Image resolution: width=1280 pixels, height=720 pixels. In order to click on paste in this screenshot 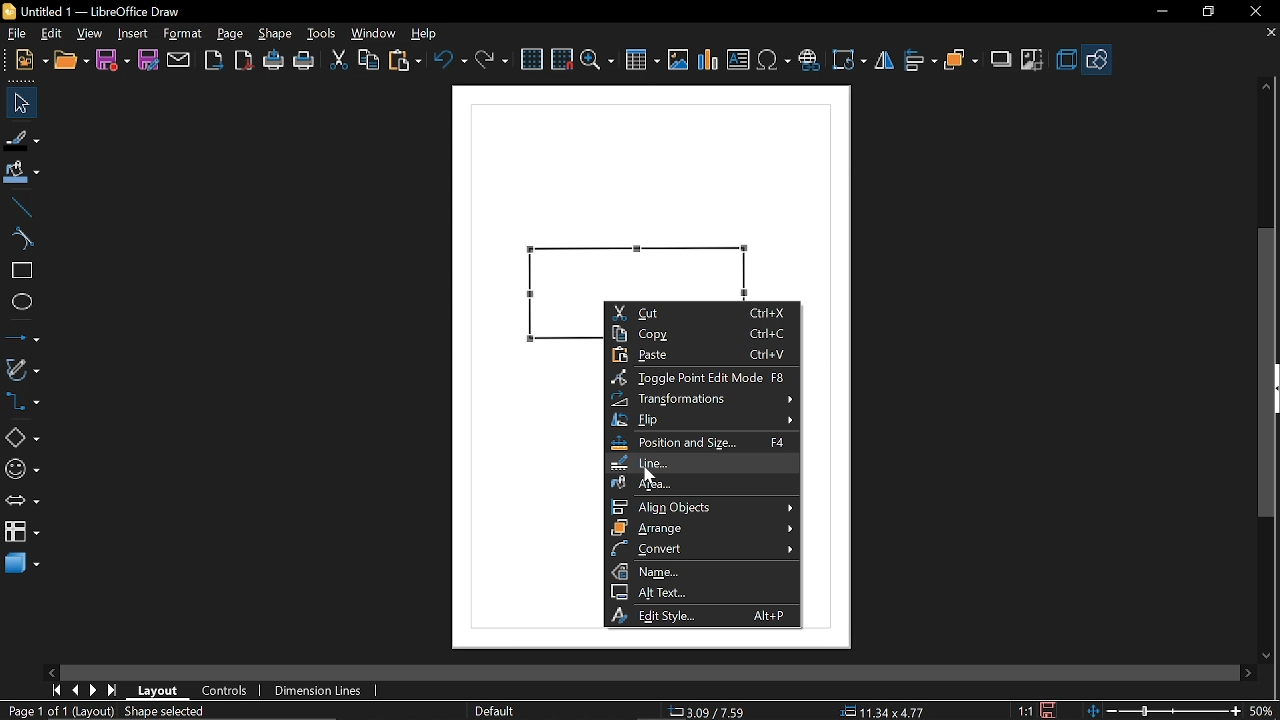, I will do `click(406, 61)`.